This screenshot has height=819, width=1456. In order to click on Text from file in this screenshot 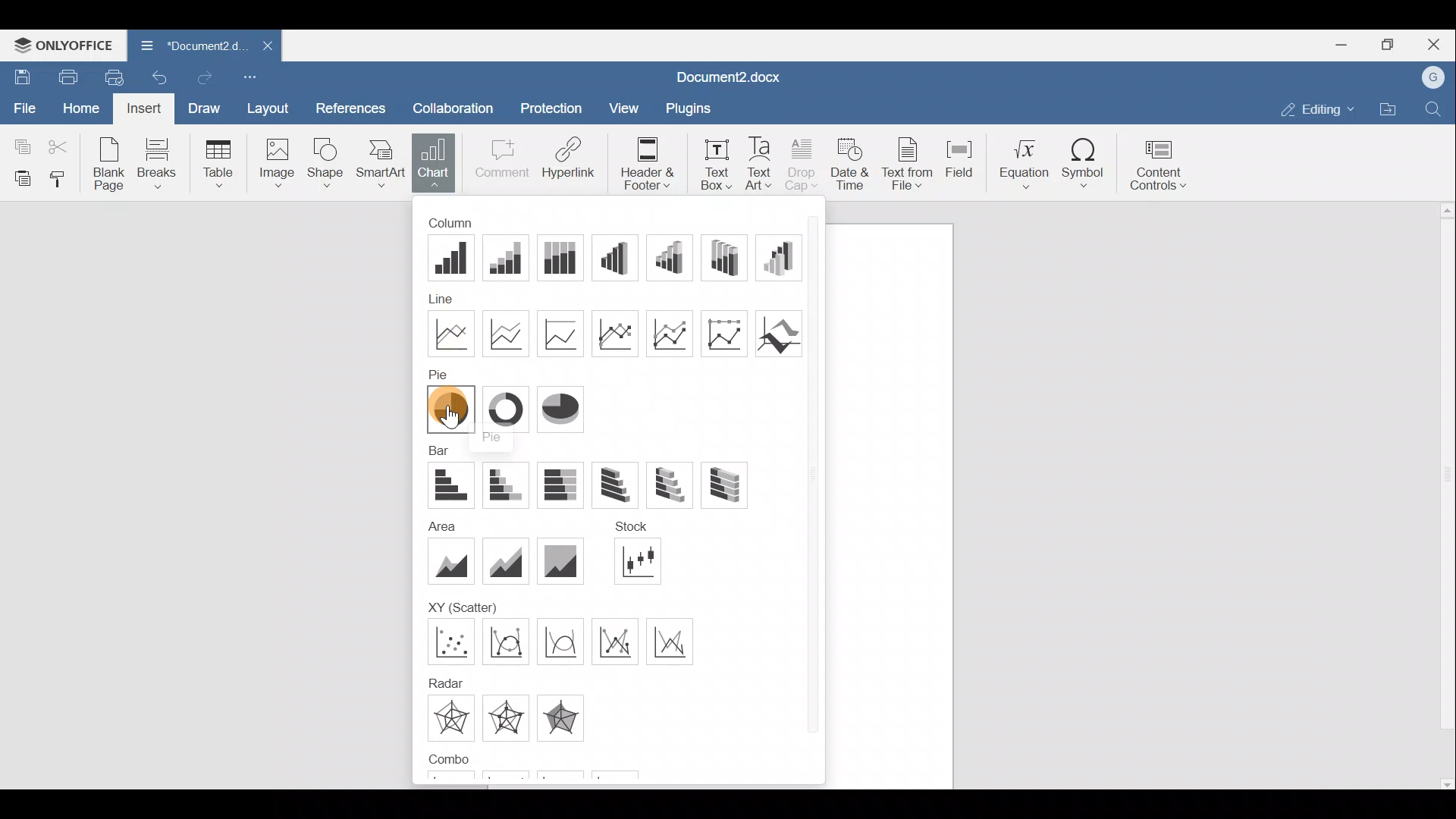, I will do `click(909, 161)`.